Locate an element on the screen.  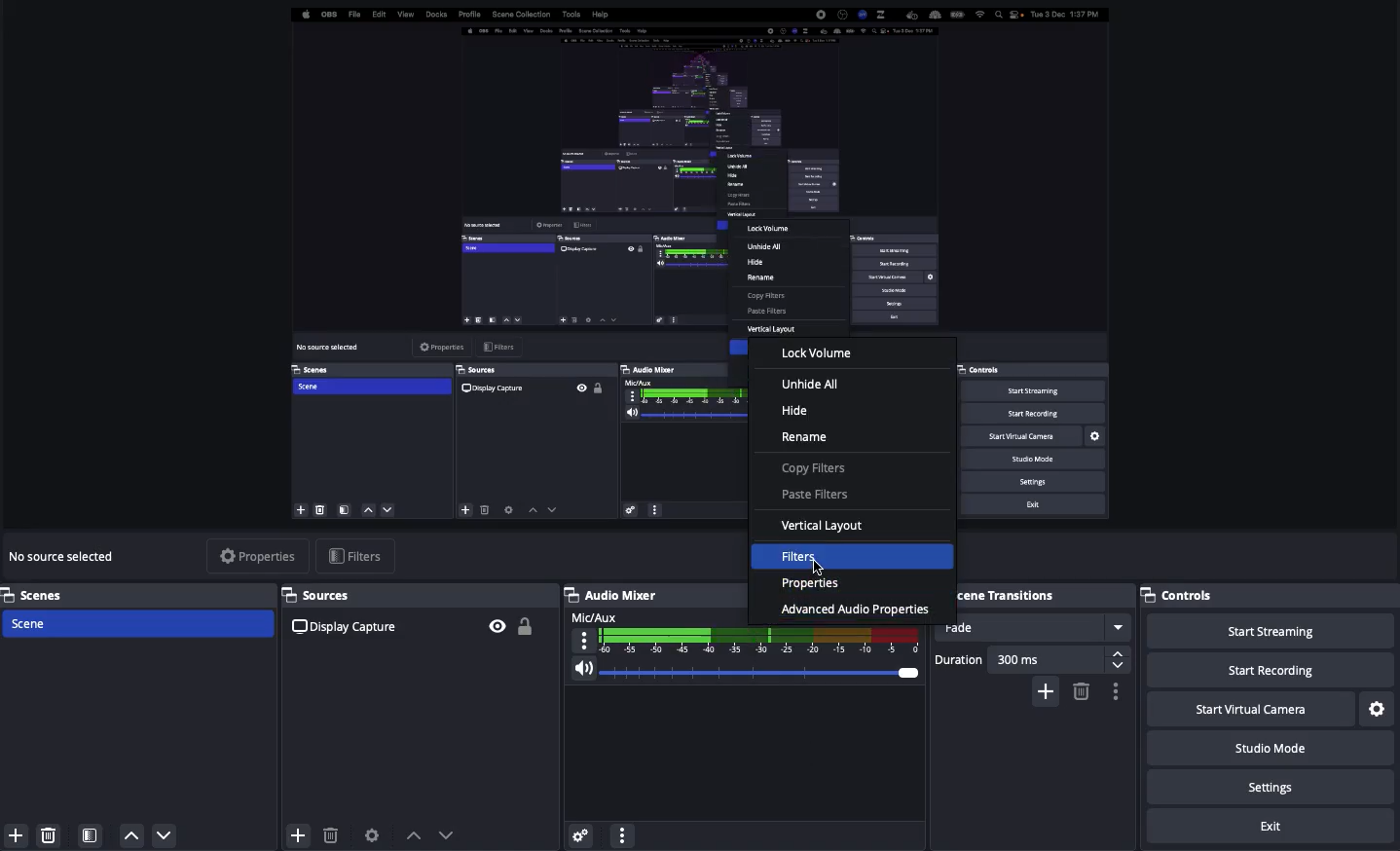
Studio mode is located at coordinates (1268, 752).